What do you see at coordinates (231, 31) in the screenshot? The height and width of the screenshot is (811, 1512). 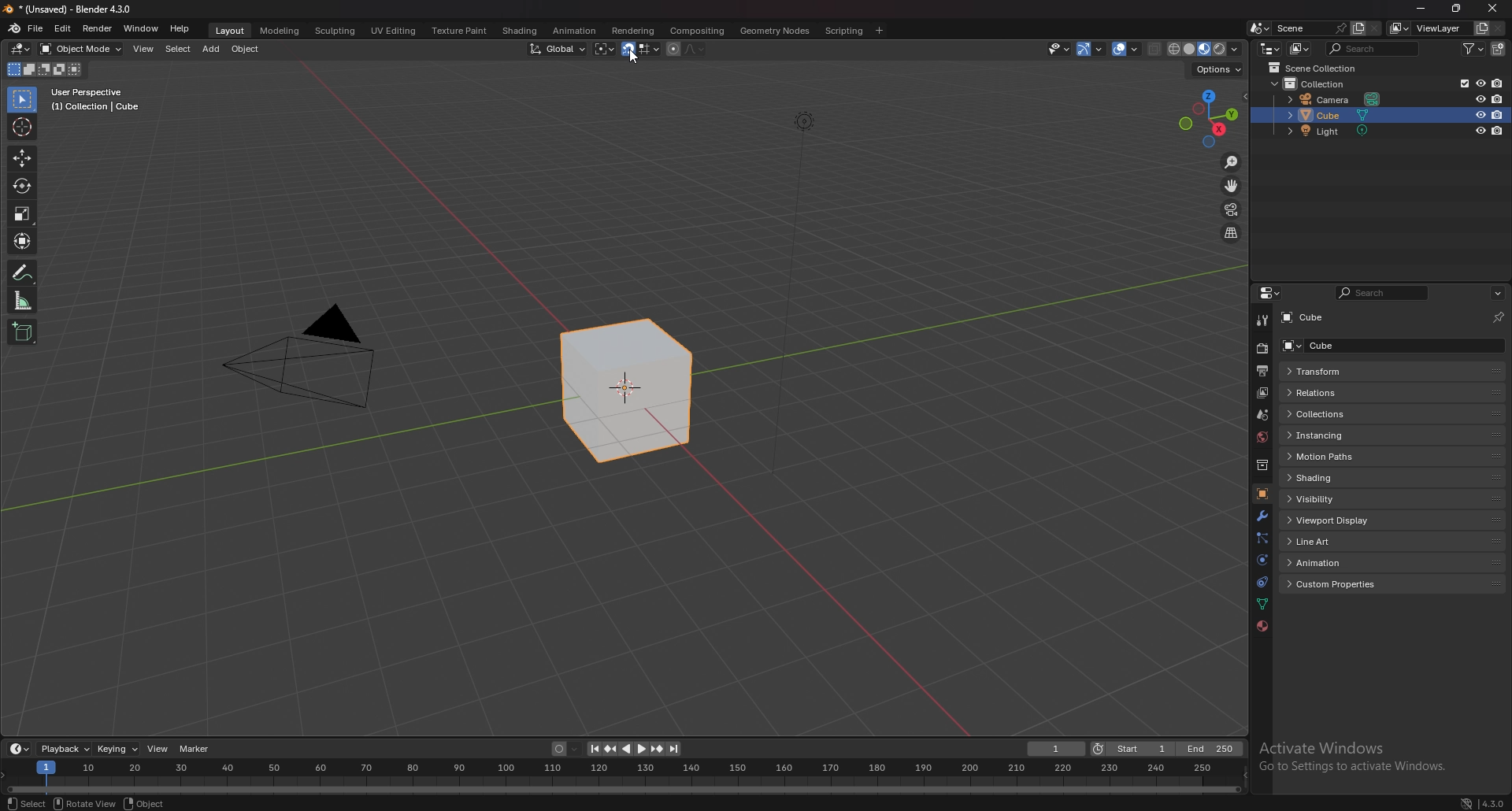 I see `layout` at bounding box center [231, 31].